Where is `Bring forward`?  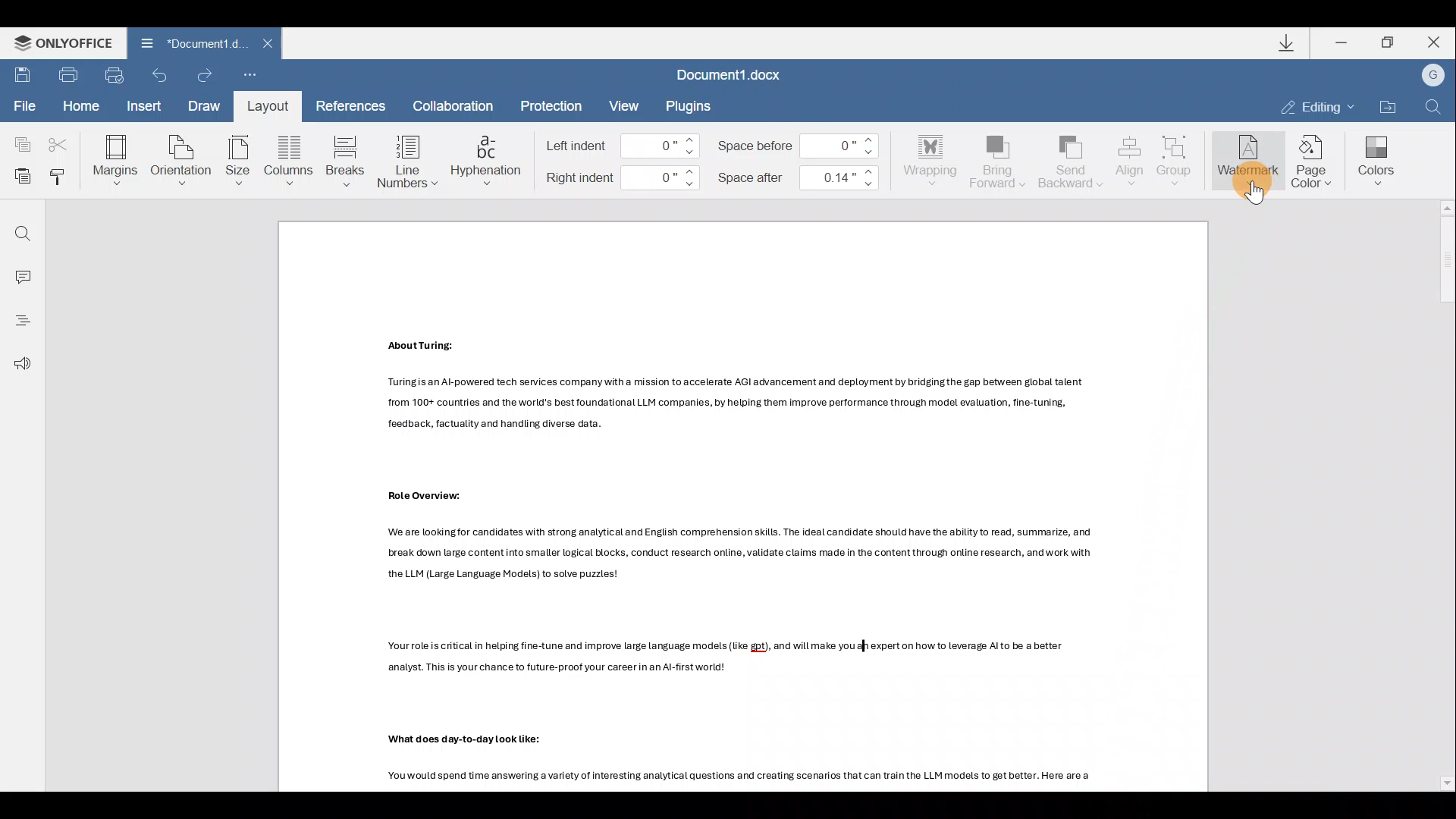 Bring forward is located at coordinates (999, 164).